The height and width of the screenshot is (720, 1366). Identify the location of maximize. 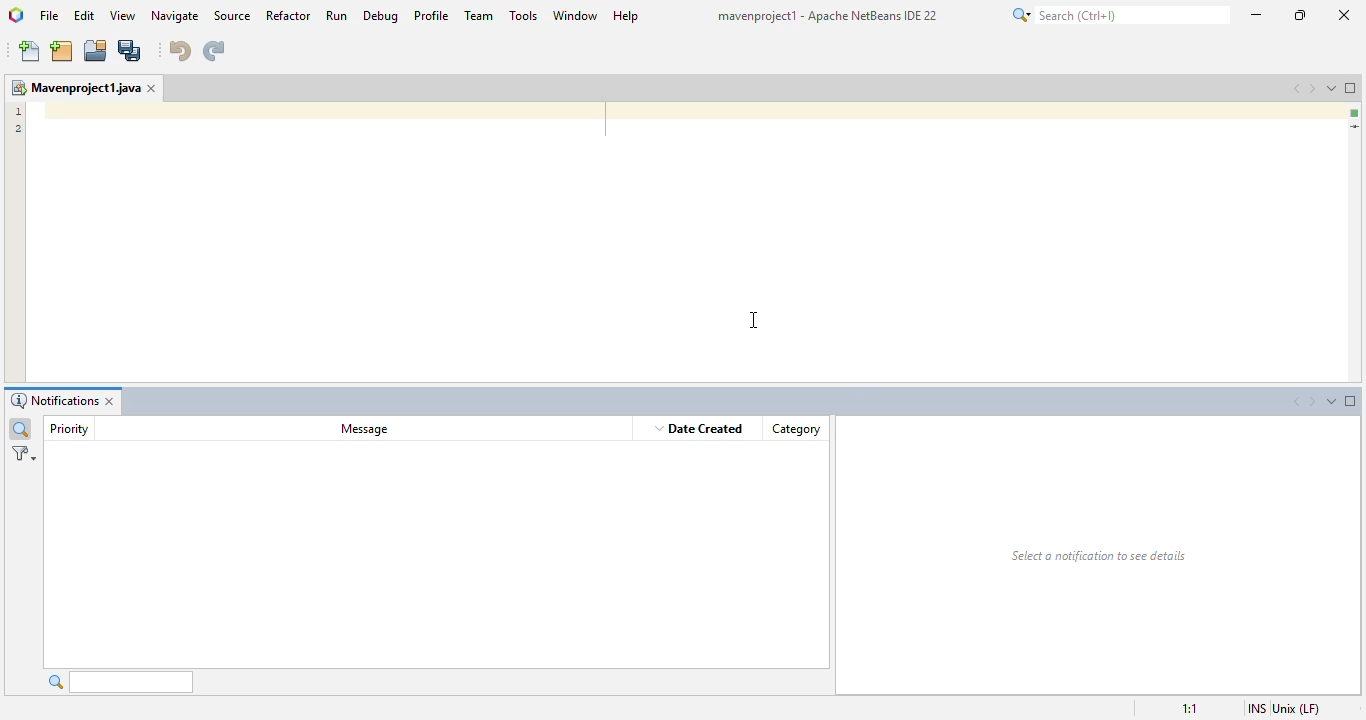
(1300, 15).